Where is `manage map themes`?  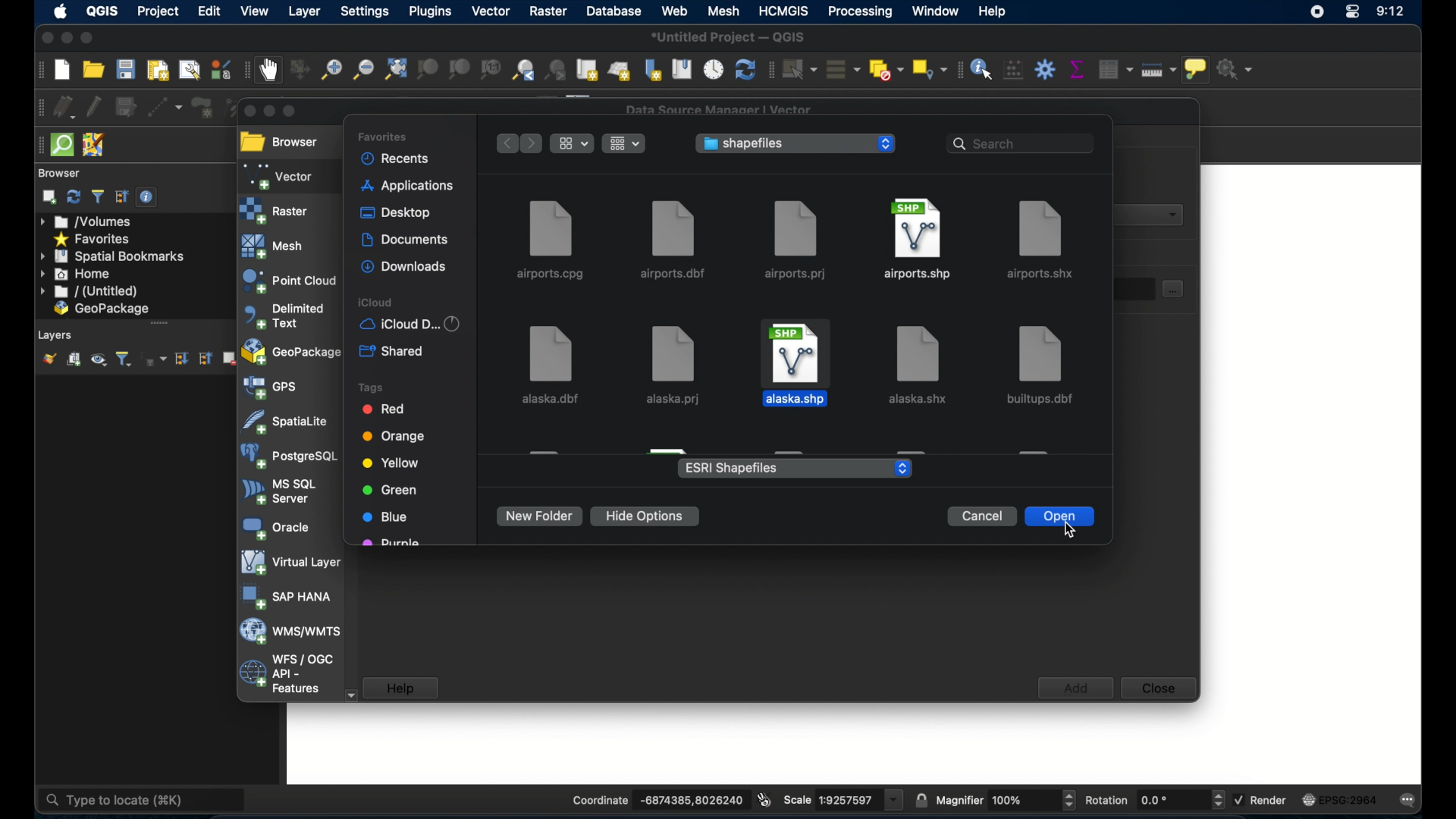
manage map themes is located at coordinates (99, 361).